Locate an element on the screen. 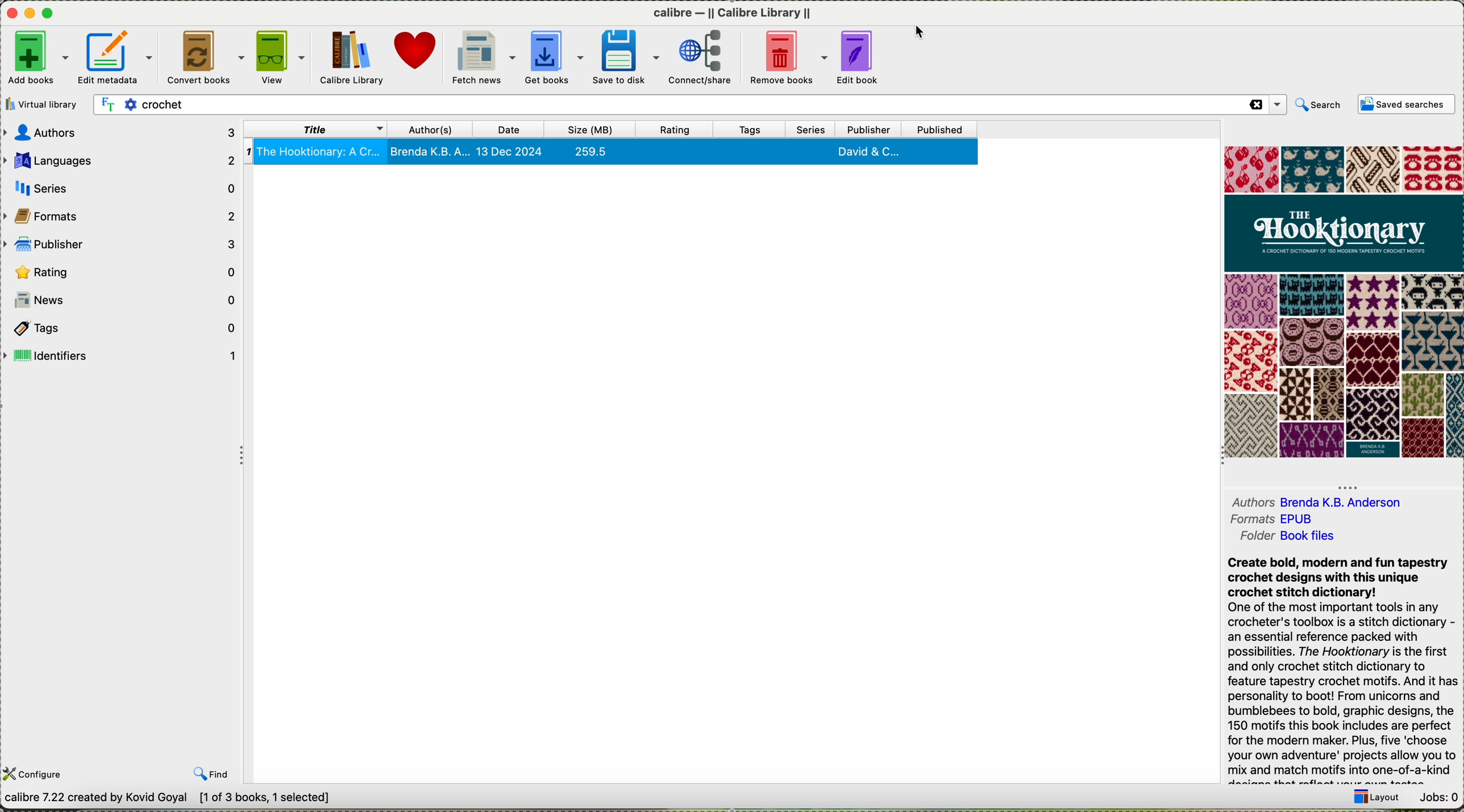  convert books is located at coordinates (204, 56).